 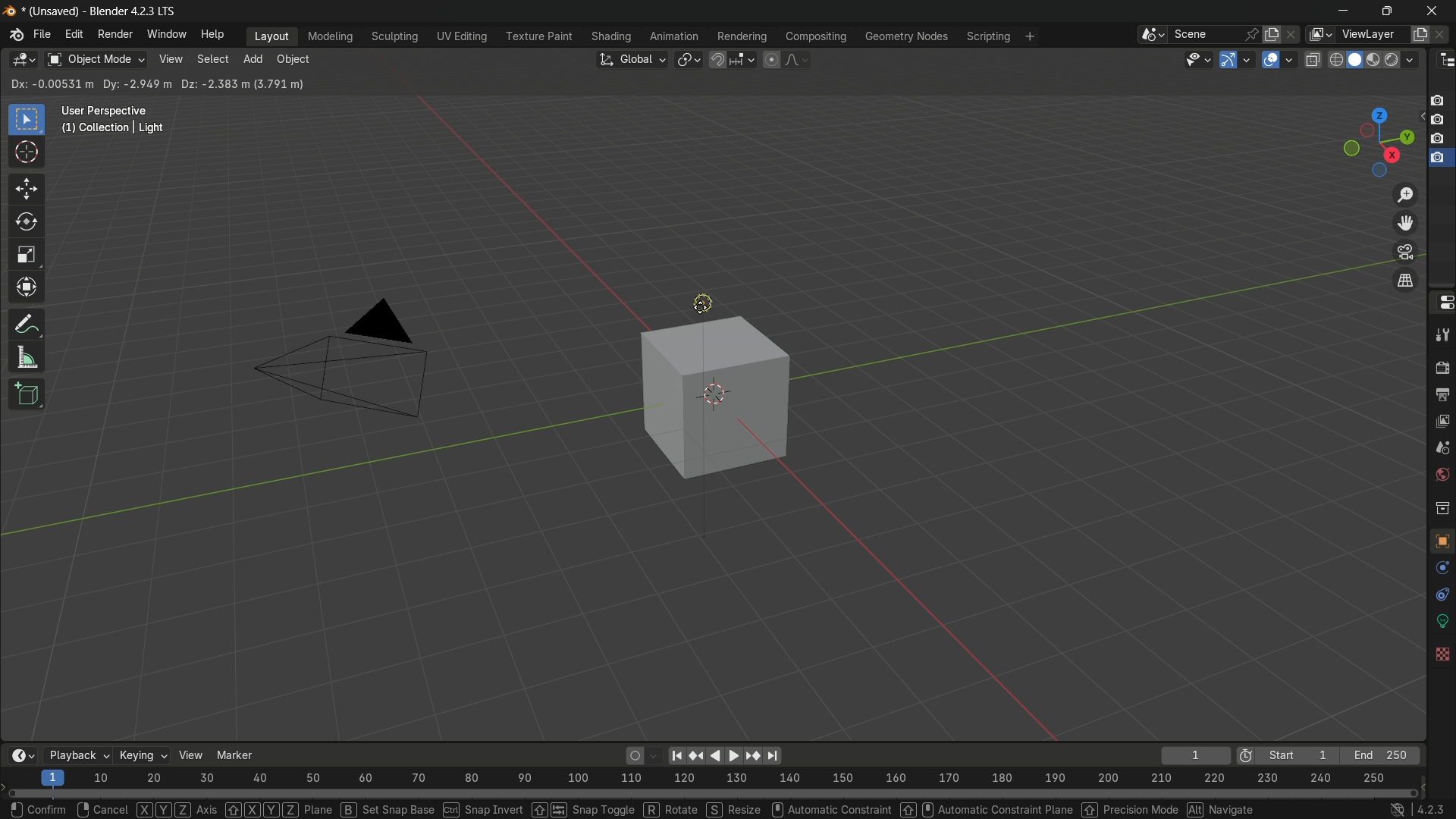 I want to click on capture, so click(x=1438, y=162).